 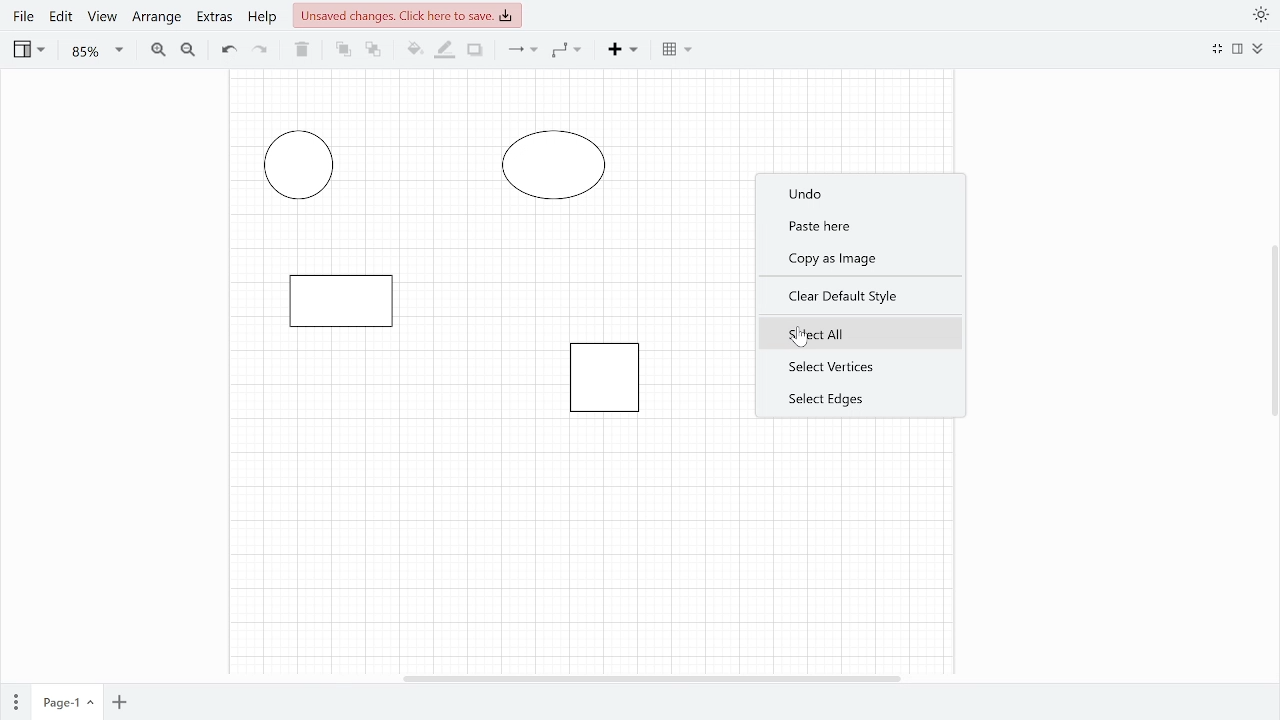 I want to click on Select edges, so click(x=859, y=400).